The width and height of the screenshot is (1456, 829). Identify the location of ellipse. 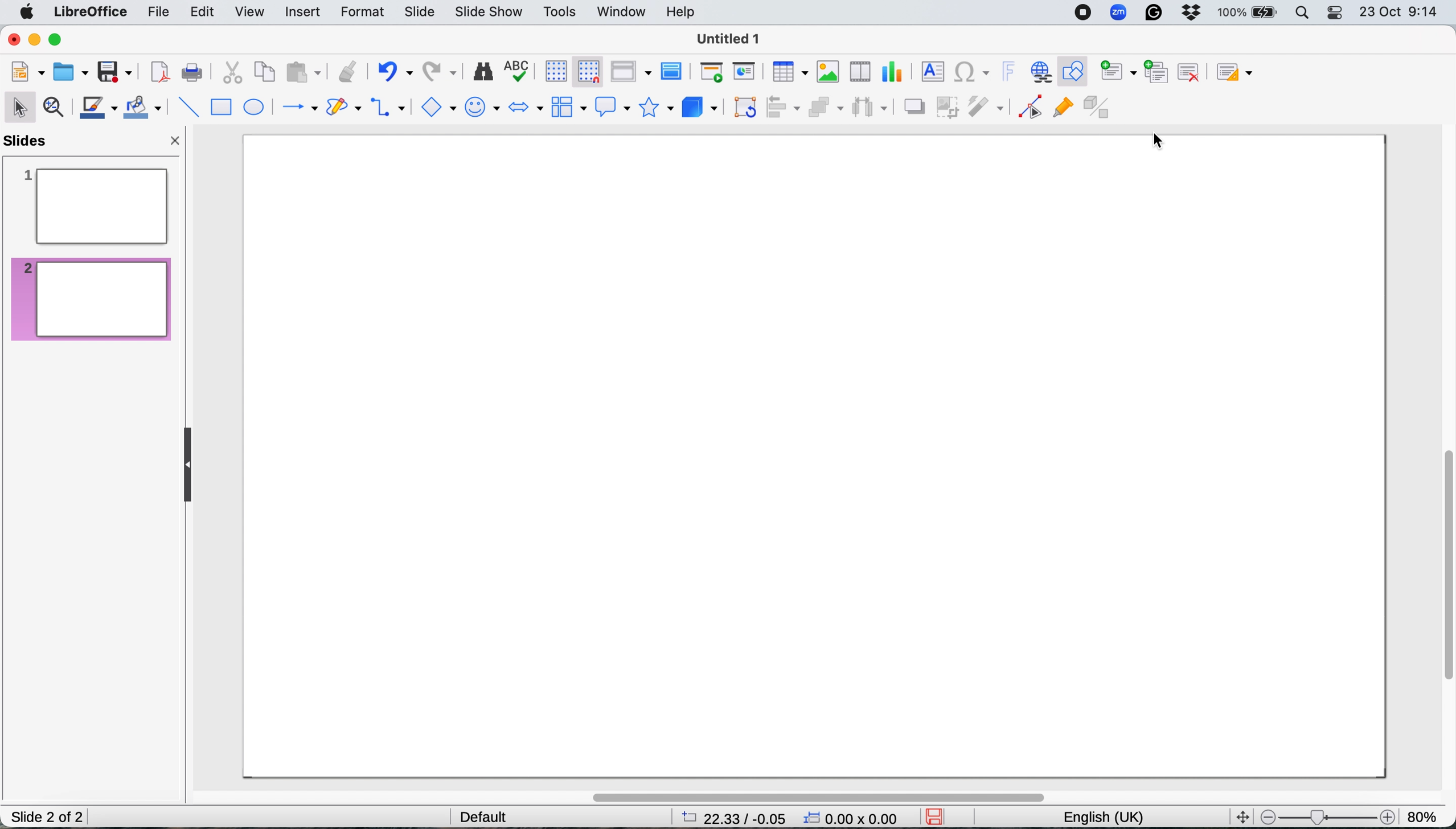
(255, 108).